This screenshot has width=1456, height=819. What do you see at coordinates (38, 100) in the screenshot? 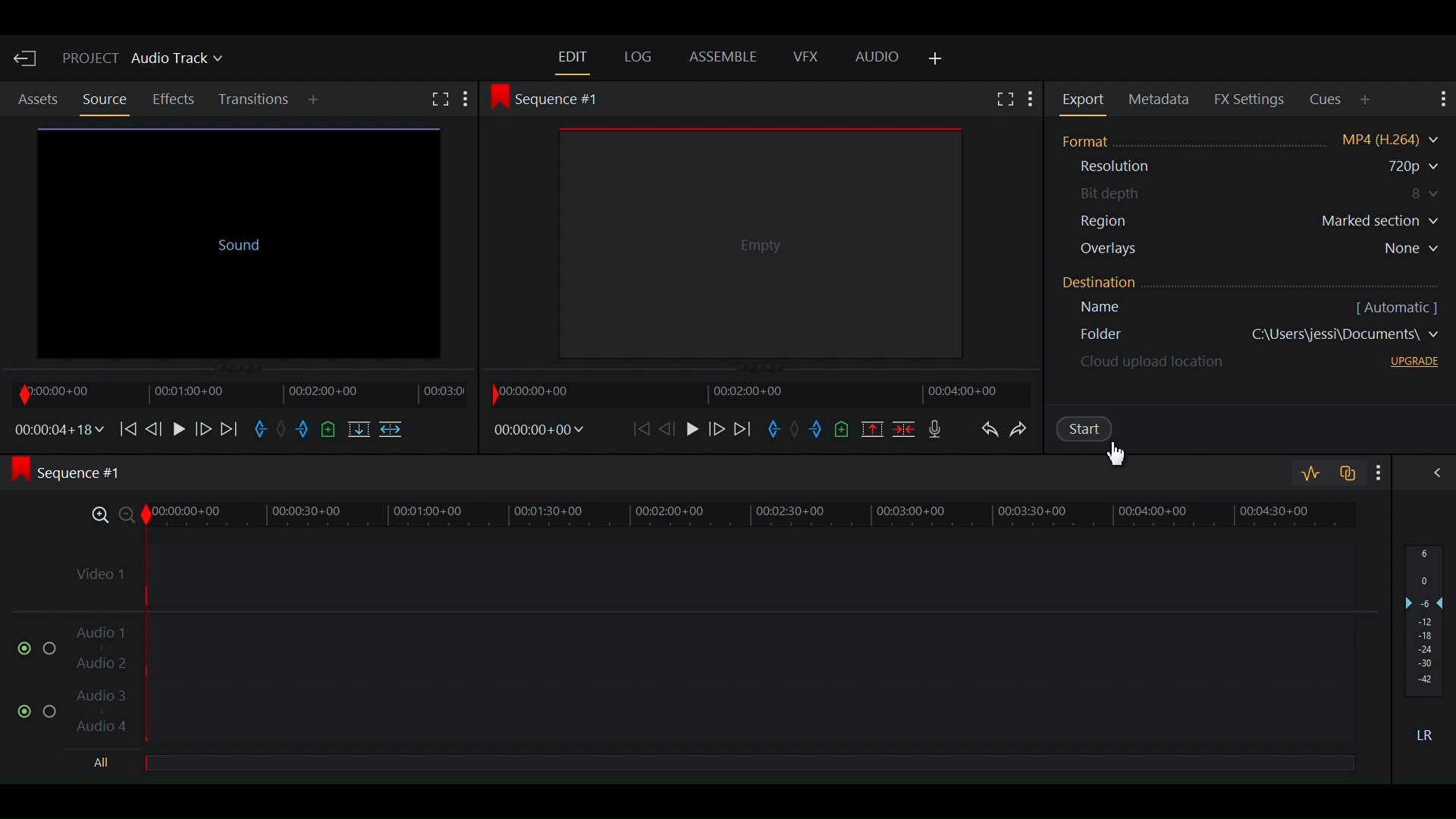
I see `Assets` at bounding box center [38, 100].